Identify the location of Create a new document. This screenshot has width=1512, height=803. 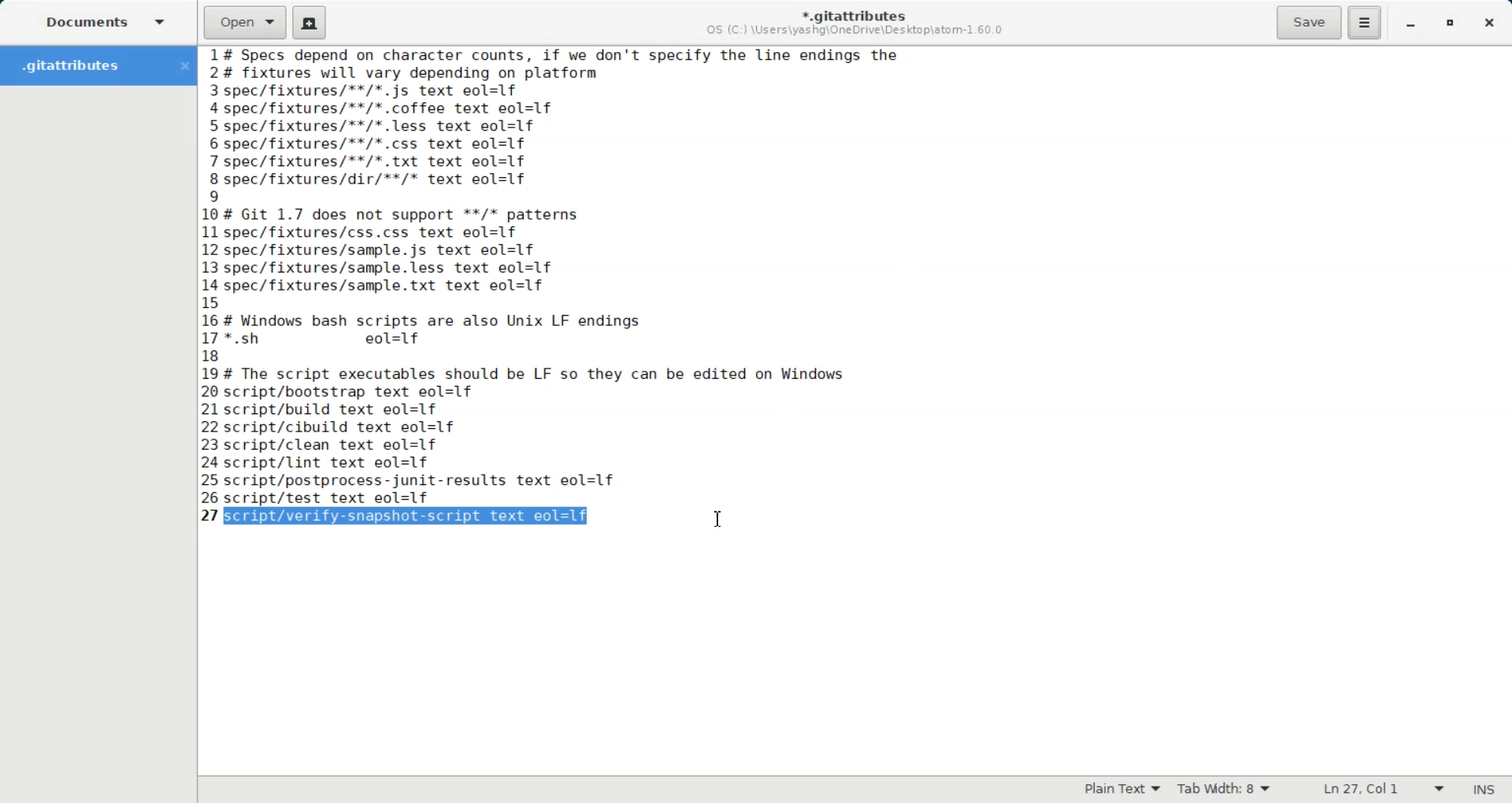
(310, 23).